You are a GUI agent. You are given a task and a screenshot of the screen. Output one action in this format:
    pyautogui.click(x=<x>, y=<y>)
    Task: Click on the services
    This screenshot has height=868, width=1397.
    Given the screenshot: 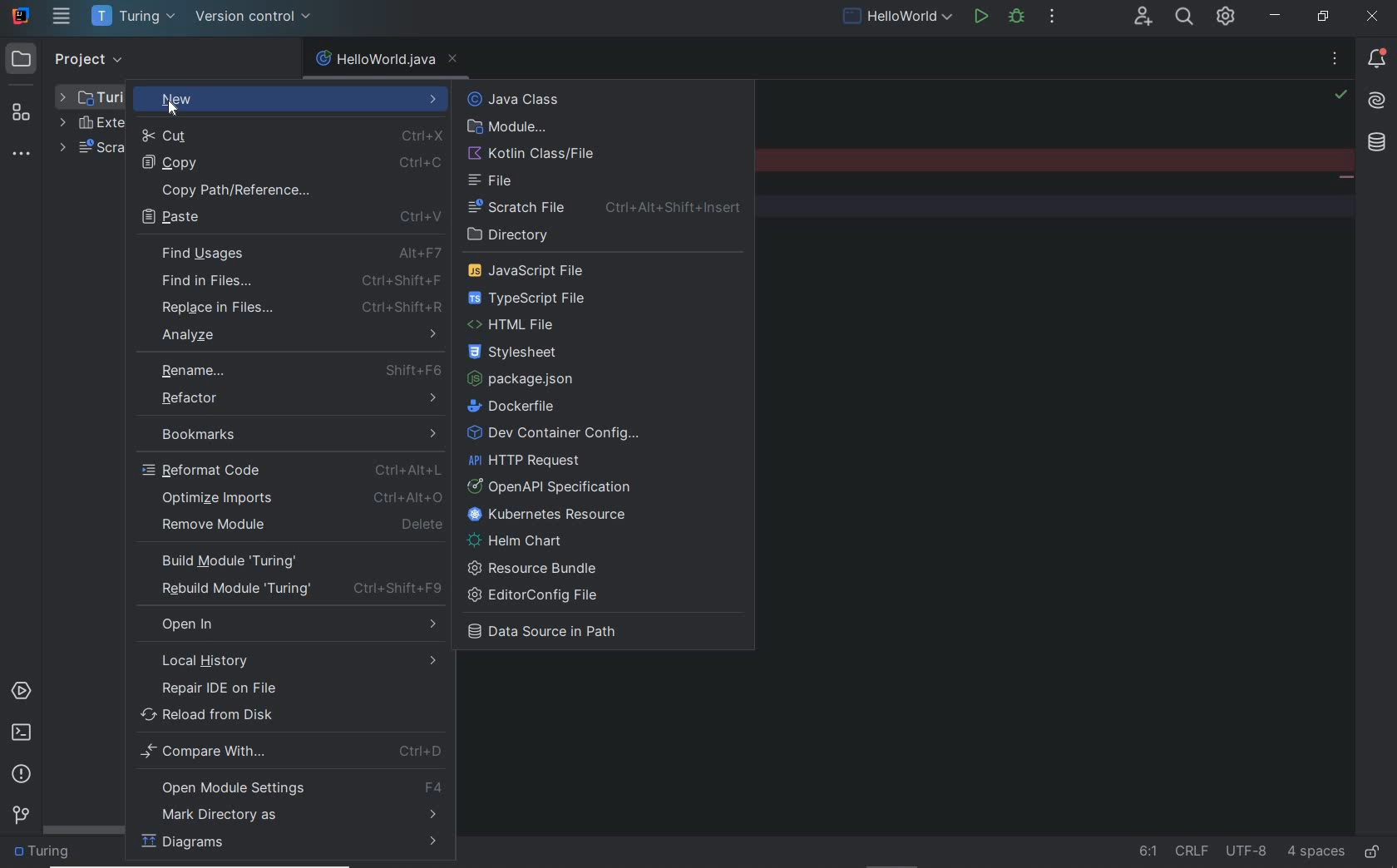 What is the action you would take?
    pyautogui.click(x=20, y=691)
    